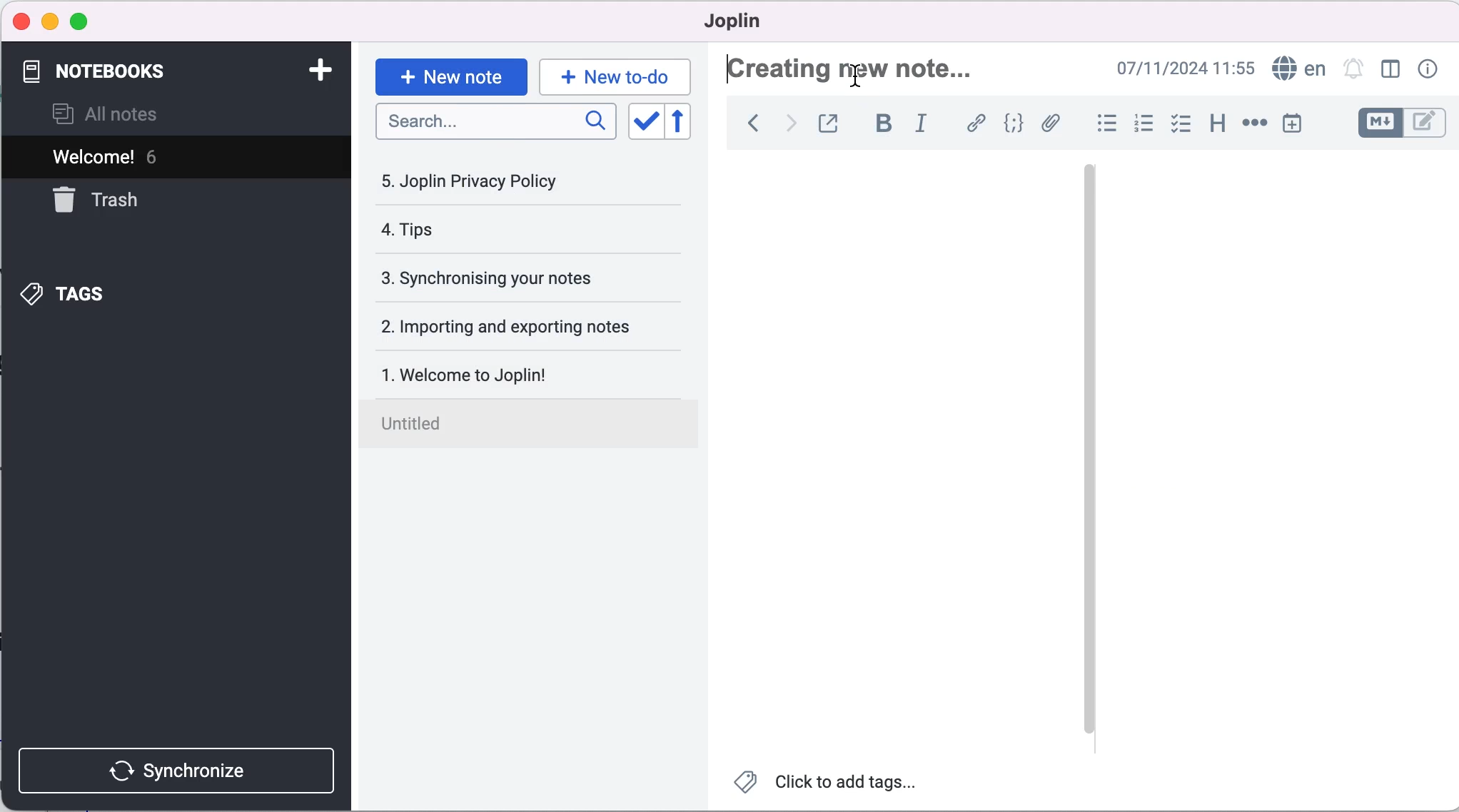 This screenshot has height=812, width=1459. I want to click on forward, so click(786, 127).